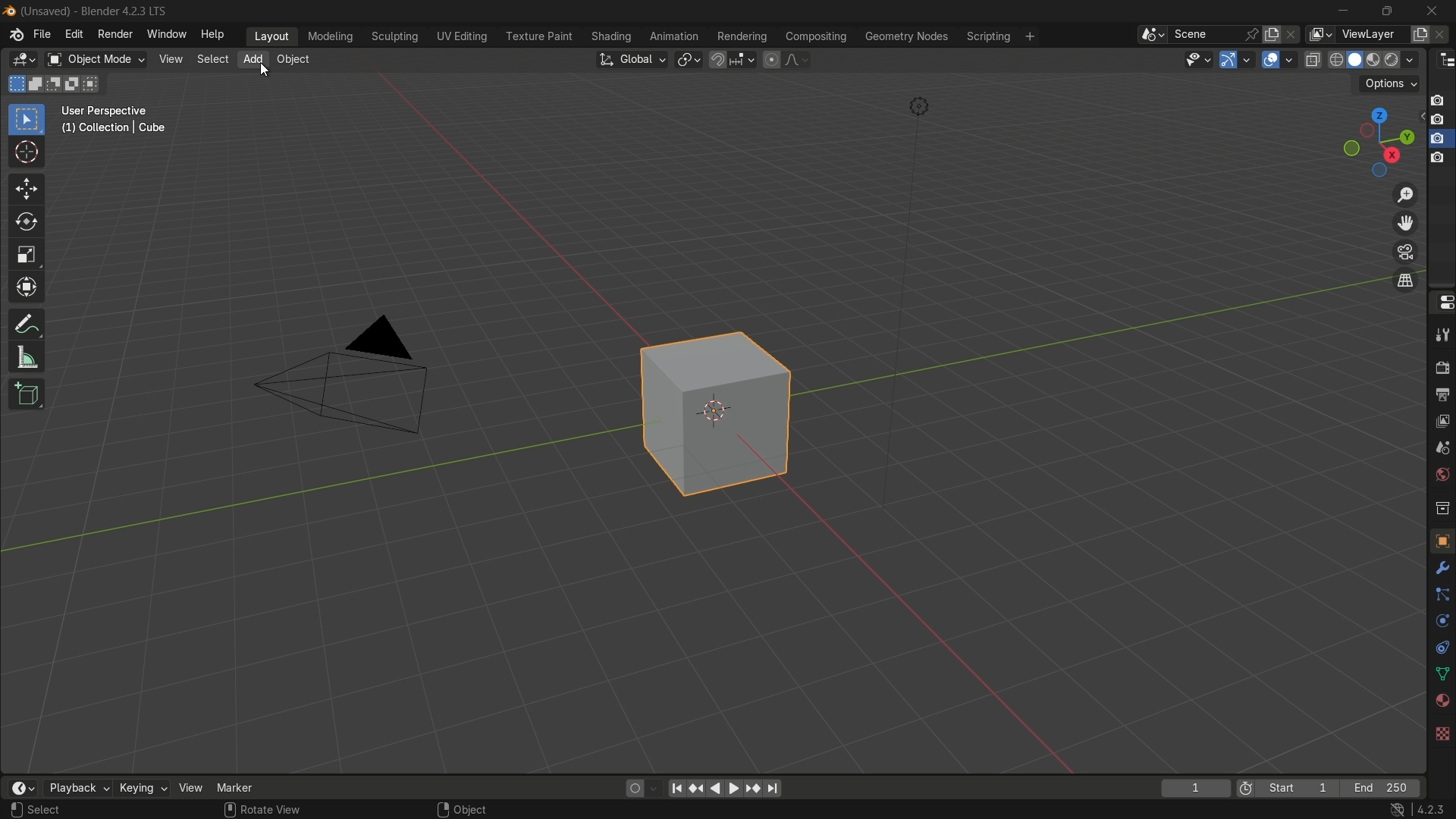  Describe the element at coordinates (688, 58) in the screenshot. I see `transform pivot table` at that location.